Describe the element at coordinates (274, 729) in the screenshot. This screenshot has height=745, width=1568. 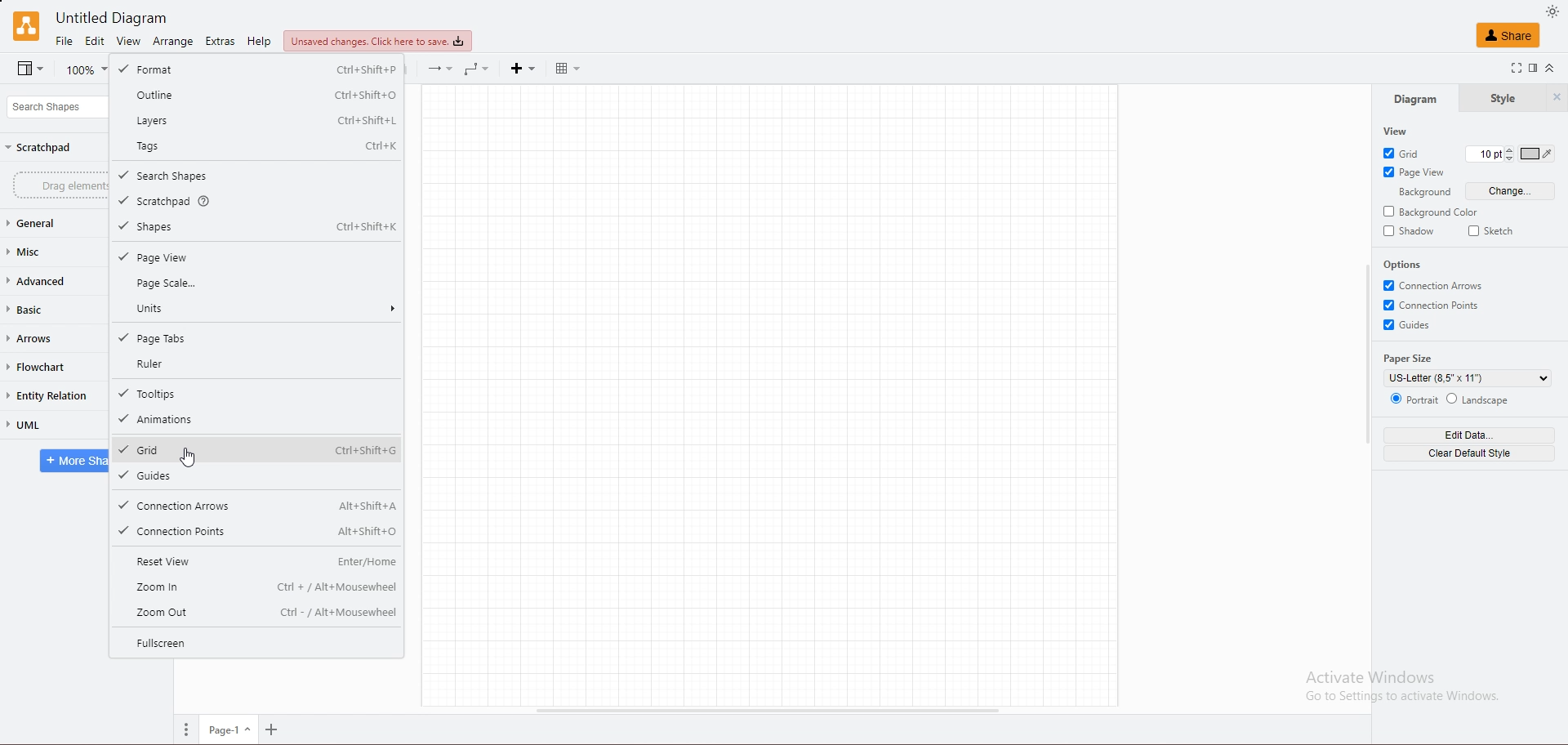
I see `zoom` at that location.